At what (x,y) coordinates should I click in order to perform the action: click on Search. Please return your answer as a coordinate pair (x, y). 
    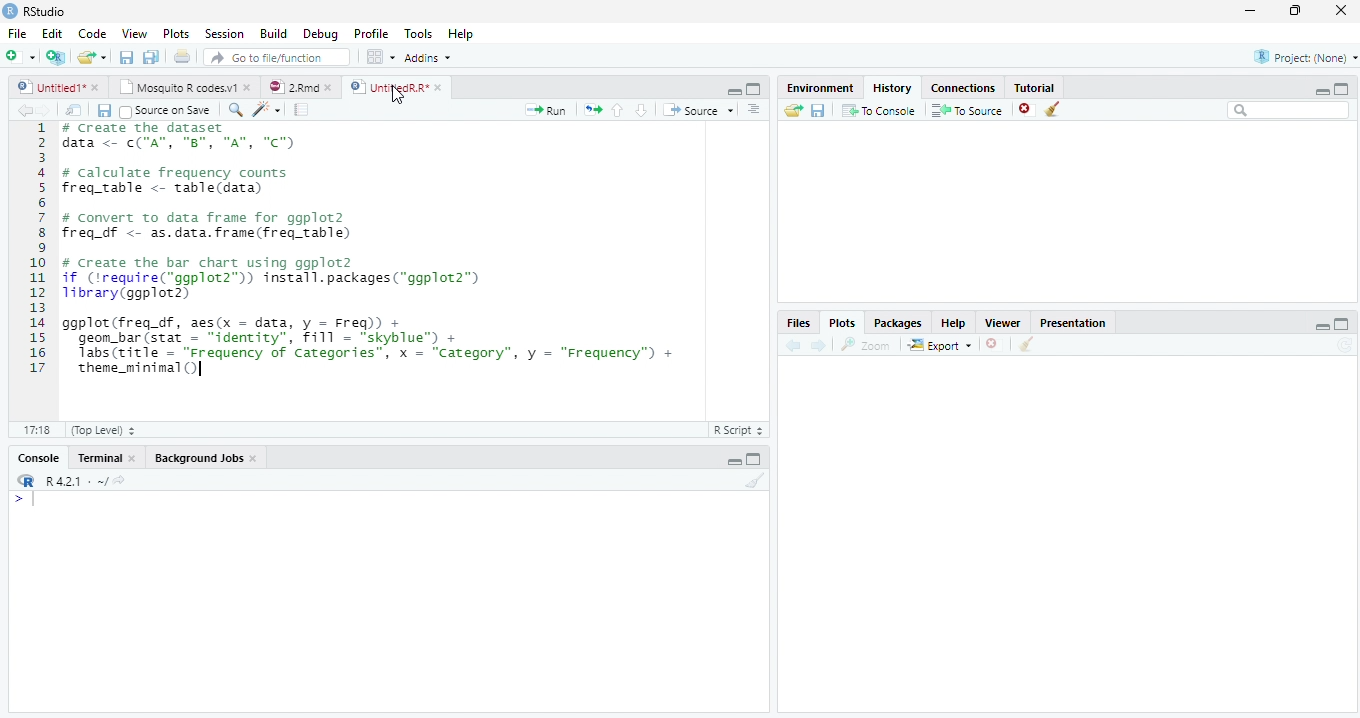
    Looking at the image, I should click on (1289, 113).